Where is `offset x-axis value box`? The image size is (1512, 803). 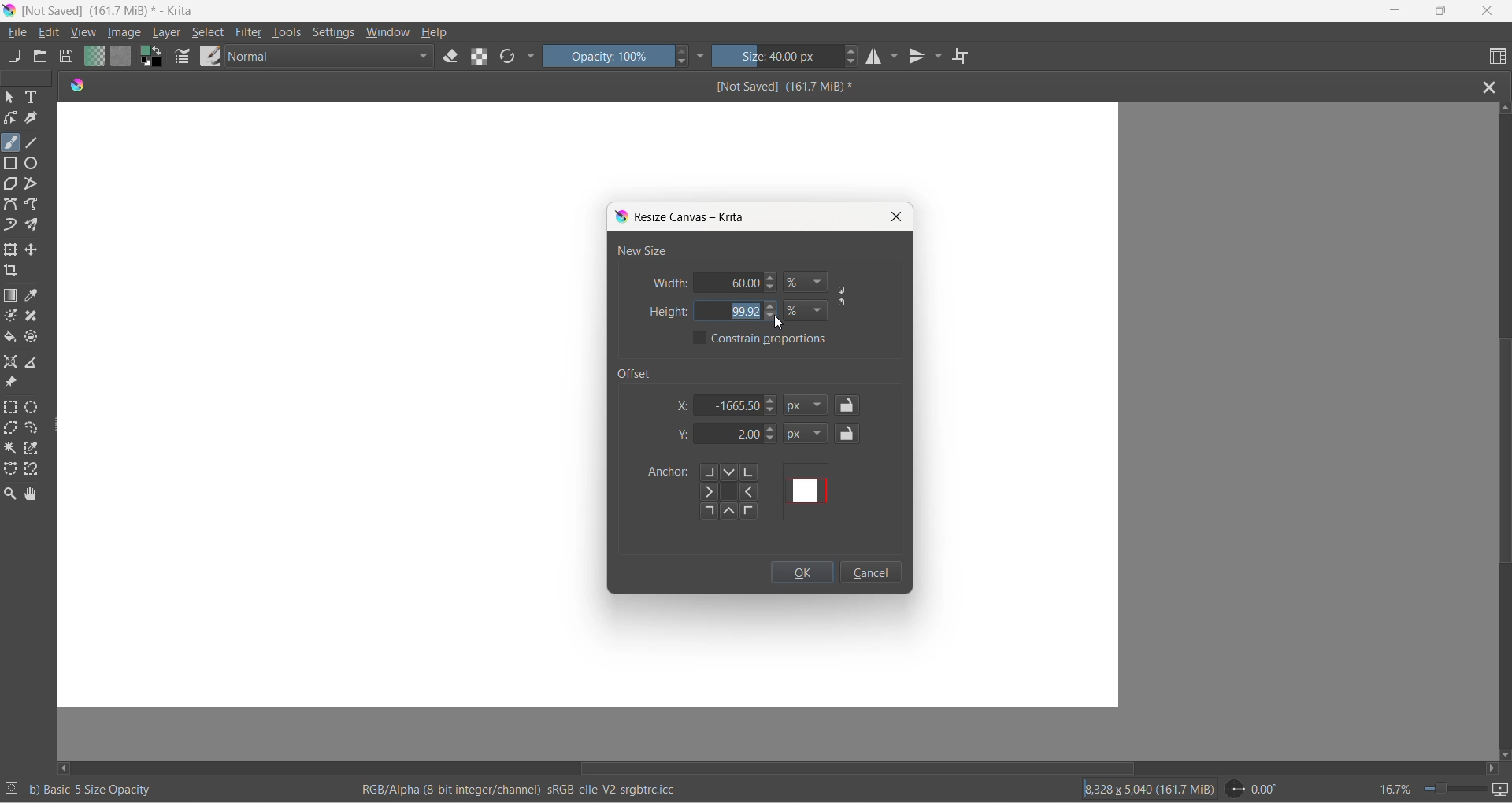 offset x-axis value box is located at coordinates (731, 405).